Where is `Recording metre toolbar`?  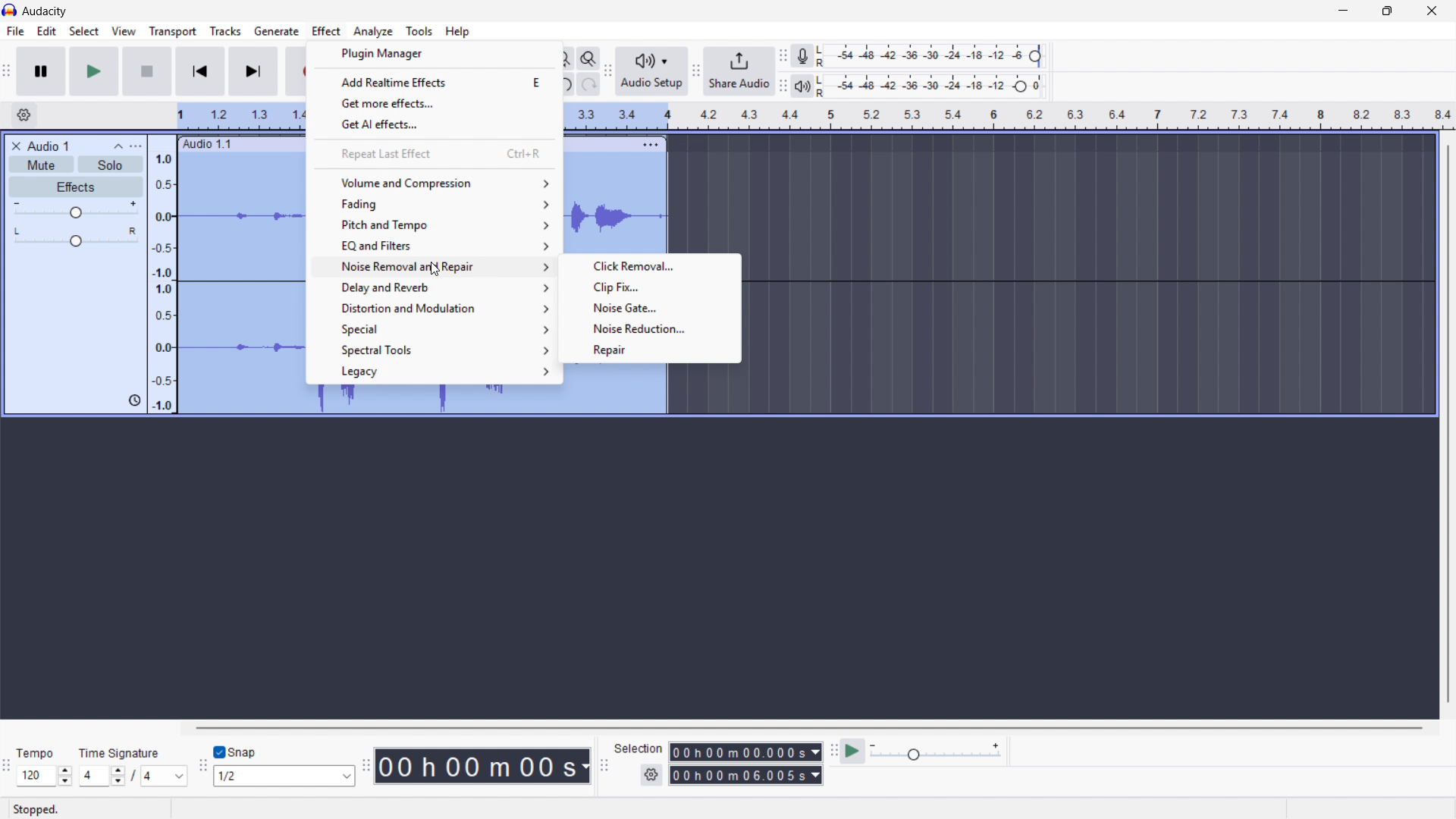 Recording metre toolbar is located at coordinates (783, 56).